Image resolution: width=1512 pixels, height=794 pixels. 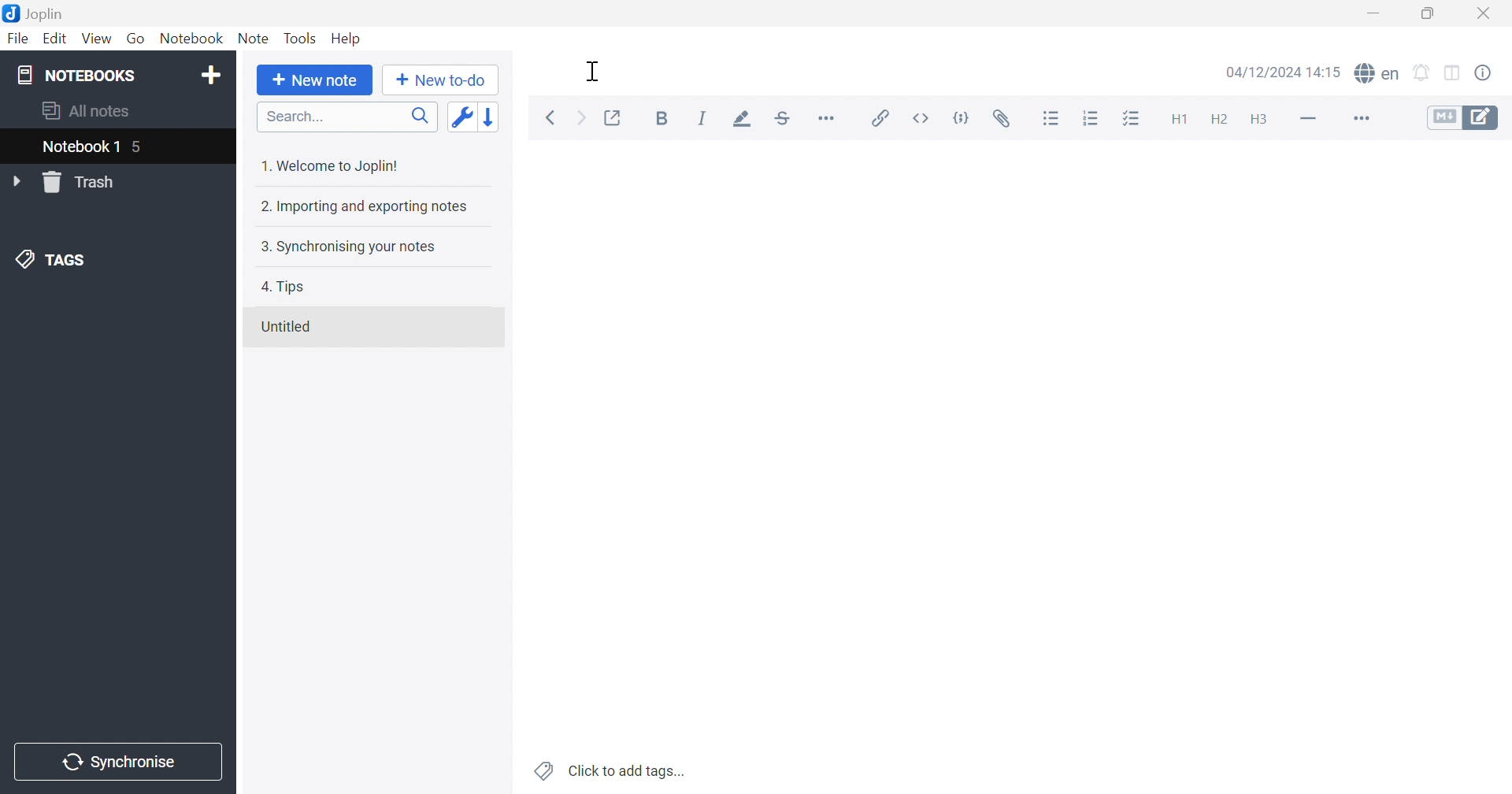 What do you see at coordinates (1376, 72) in the screenshot?
I see `Spell checker` at bounding box center [1376, 72].